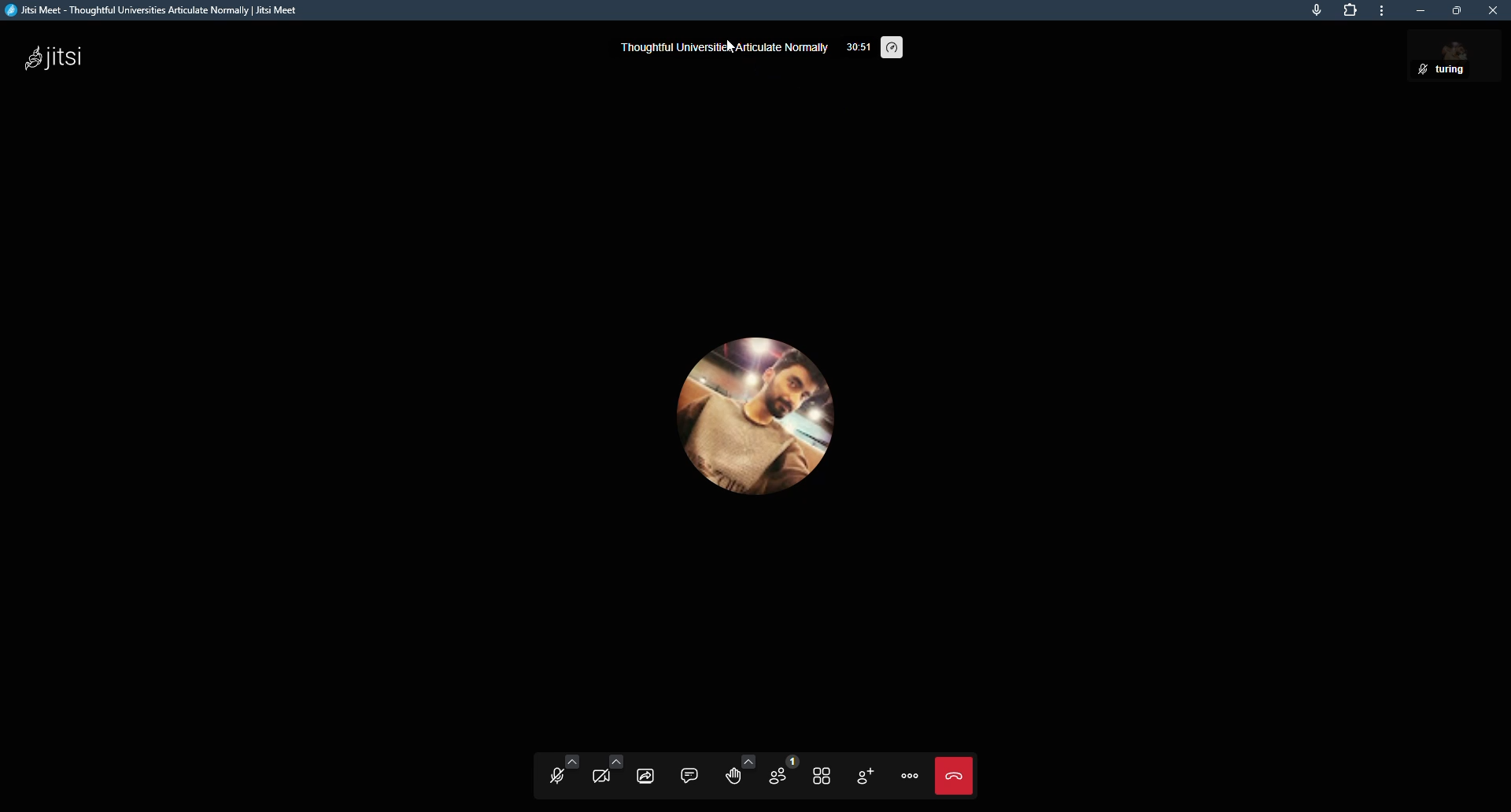 Image resolution: width=1511 pixels, height=812 pixels. Describe the element at coordinates (173, 12) in the screenshot. I see `Jitsi Meet - Thoughtful Universities Articulate Normally | Jitsi Meet` at that location.